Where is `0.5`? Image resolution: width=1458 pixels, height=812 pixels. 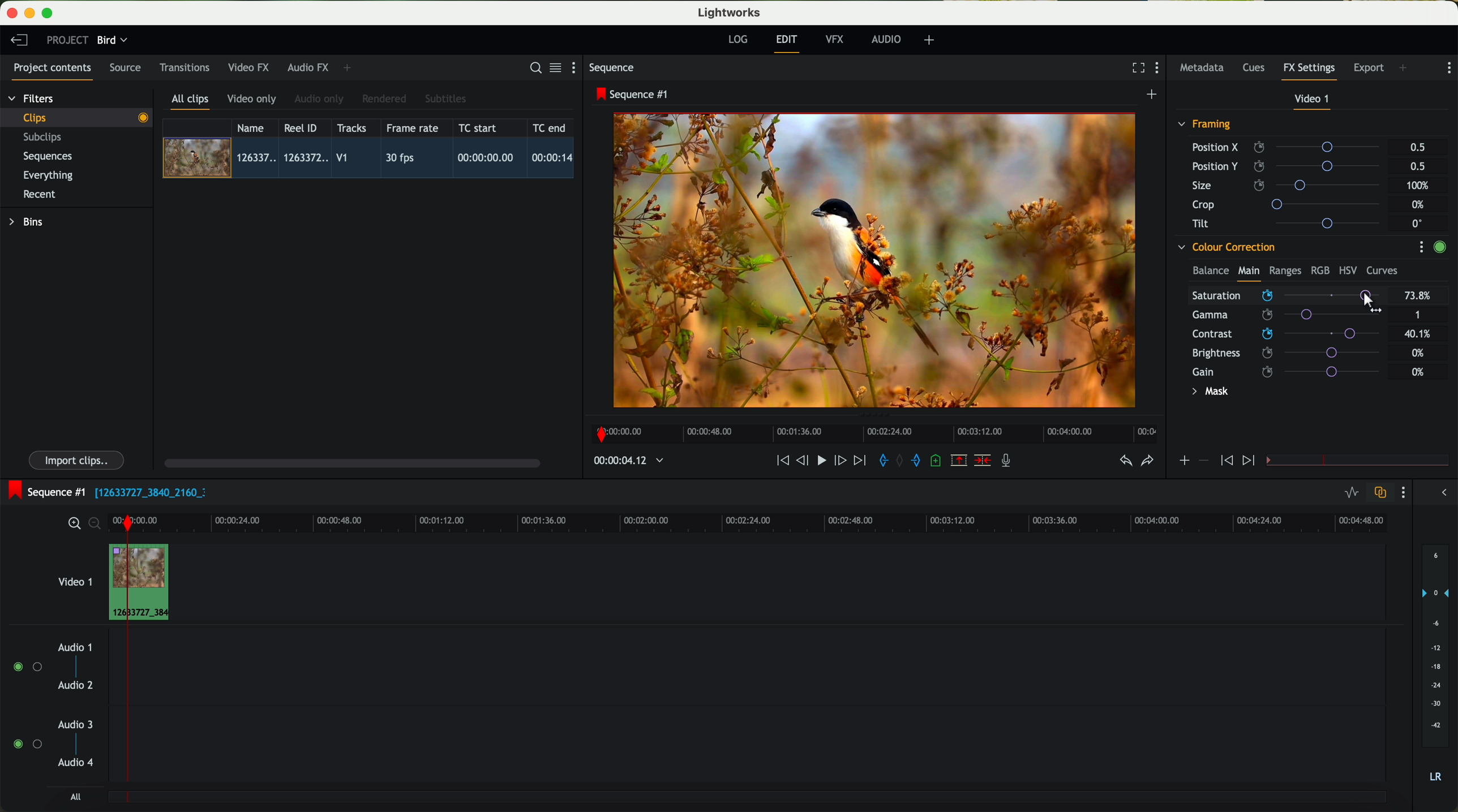
0.5 is located at coordinates (1417, 166).